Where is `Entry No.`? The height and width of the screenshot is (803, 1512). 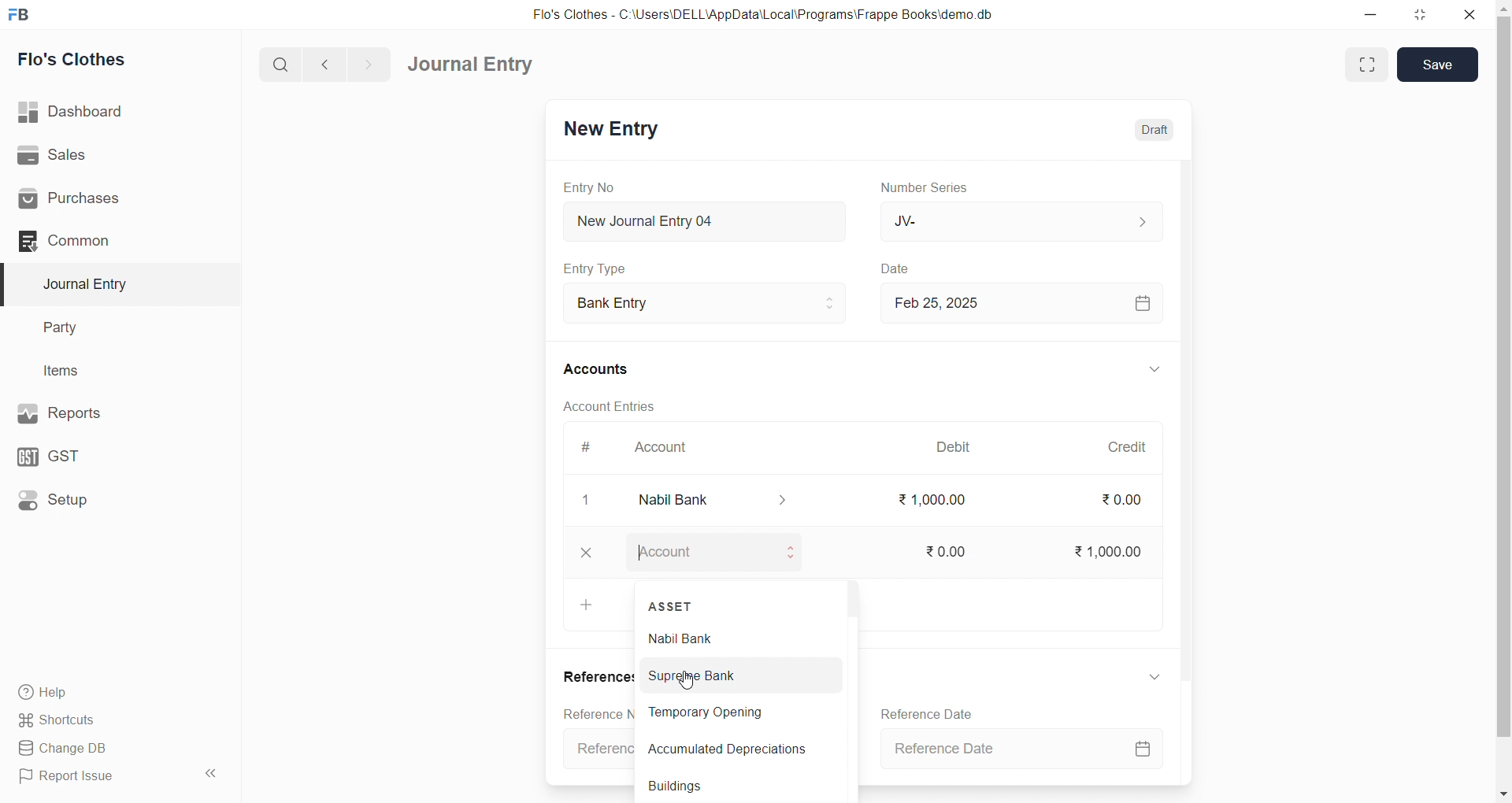
Entry No. is located at coordinates (597, 187).